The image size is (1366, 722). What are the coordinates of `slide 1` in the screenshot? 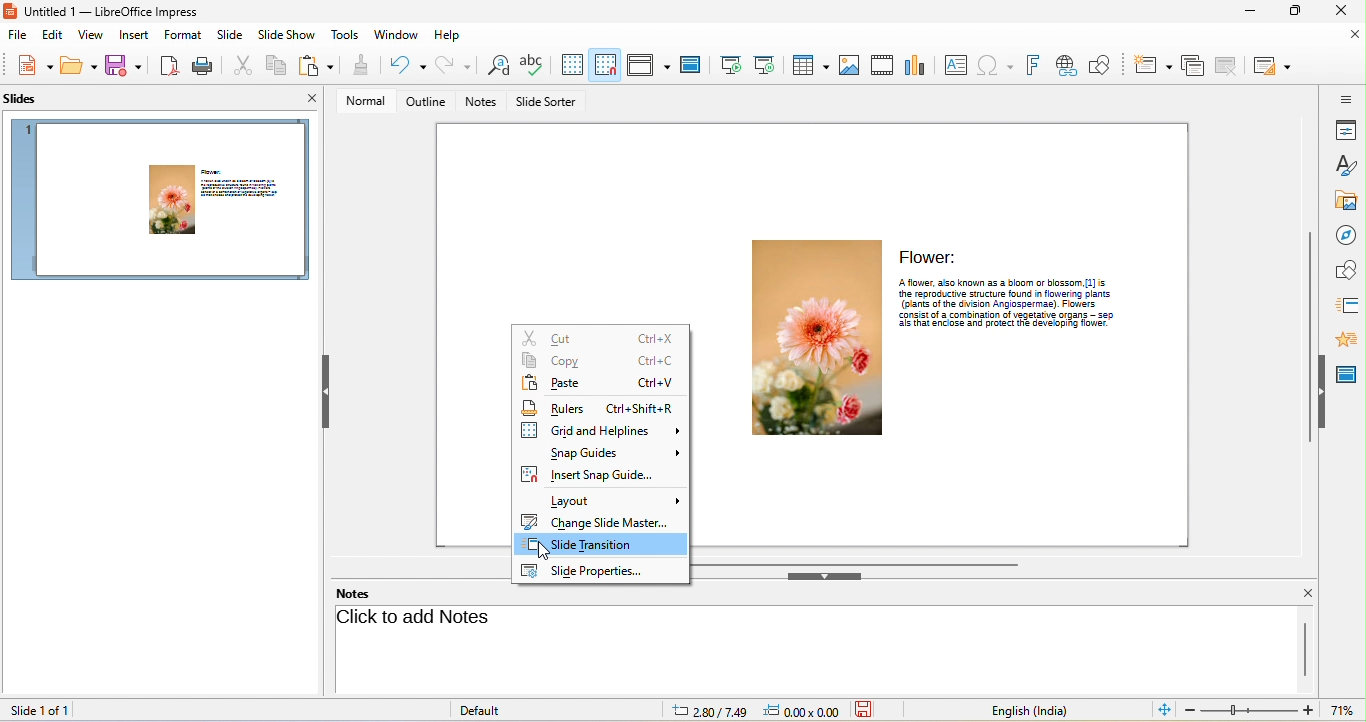 It's located at (163, 202).